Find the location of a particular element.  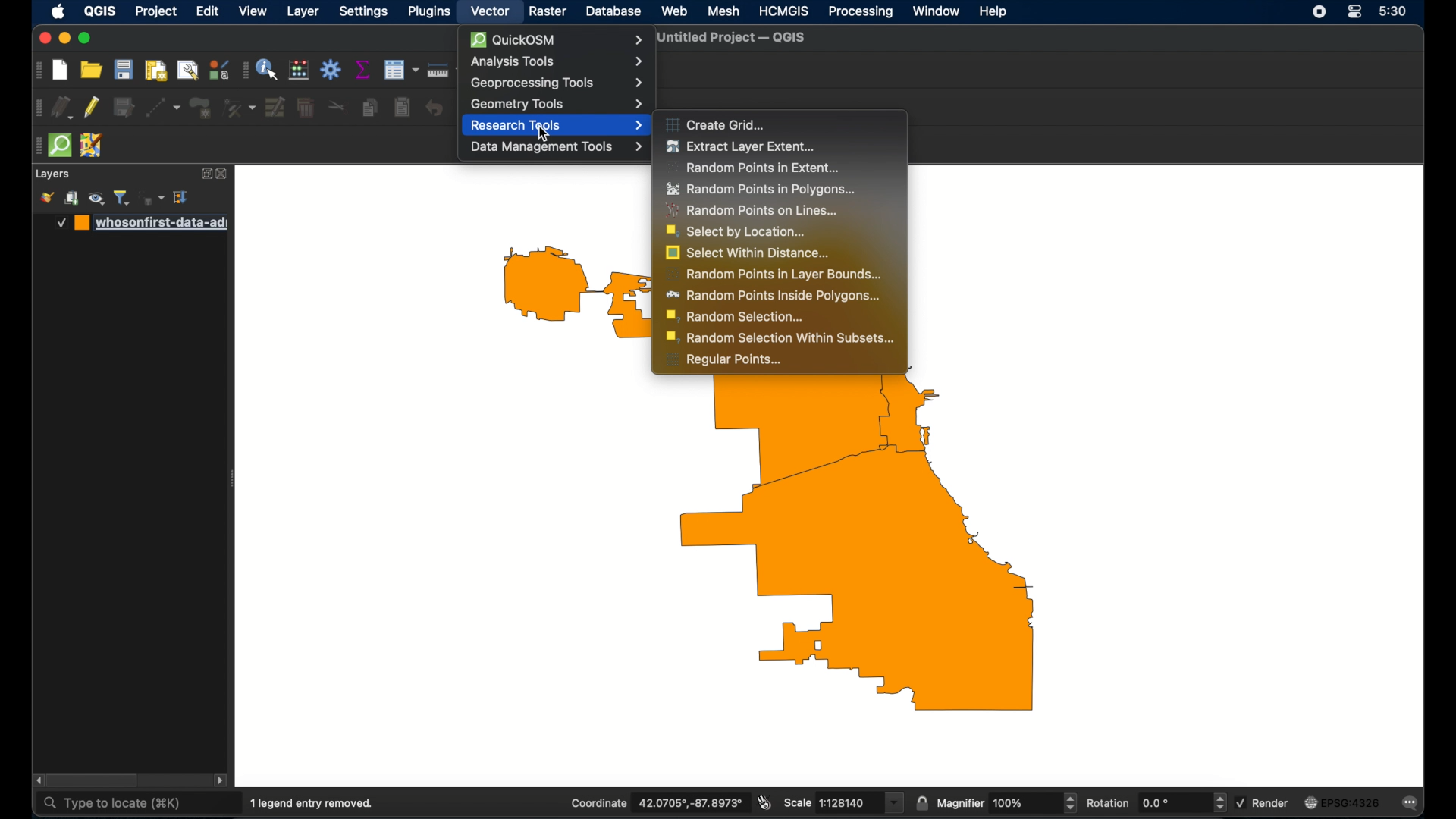

1 legend entry removed is located at coordinates (312, 804).